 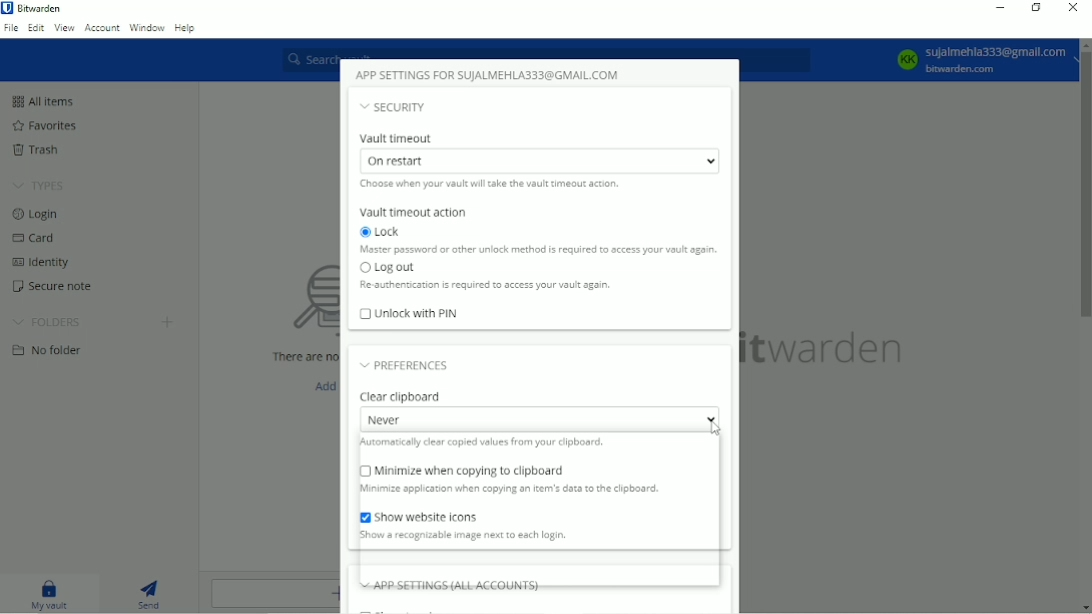 I want to click on Card, so click(x=40, y=238).